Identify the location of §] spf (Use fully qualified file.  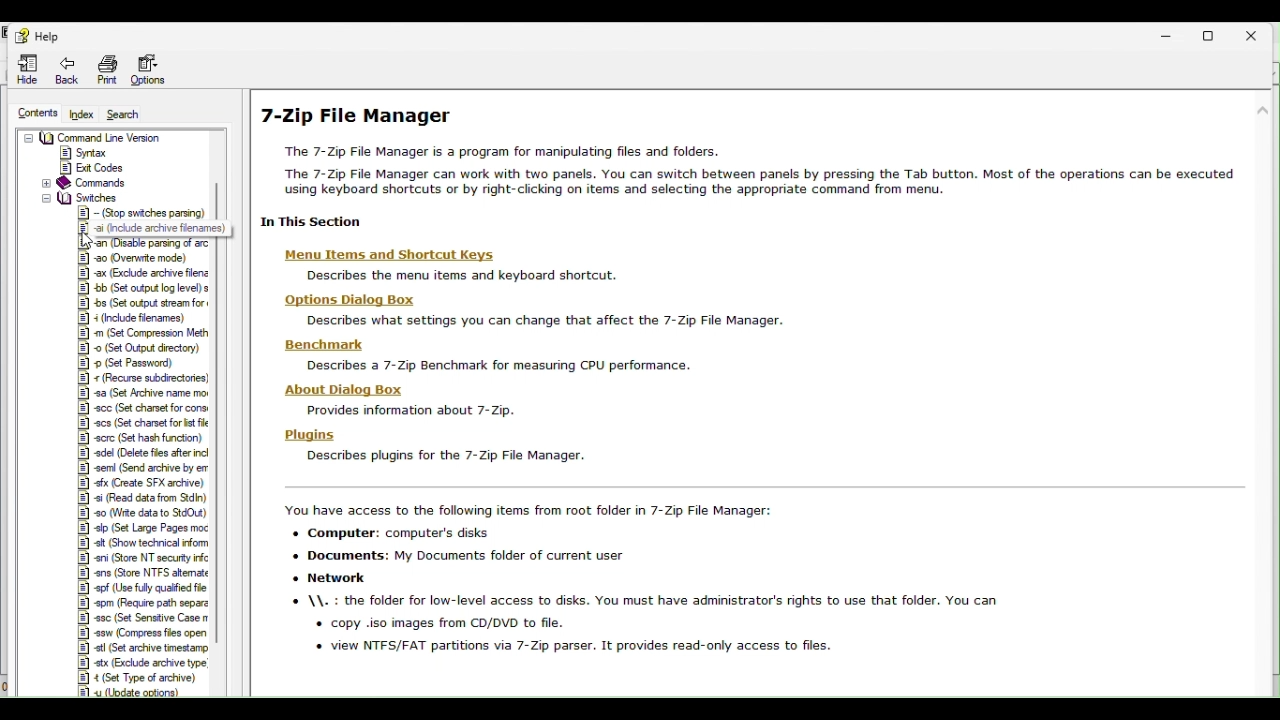
(143, 587).